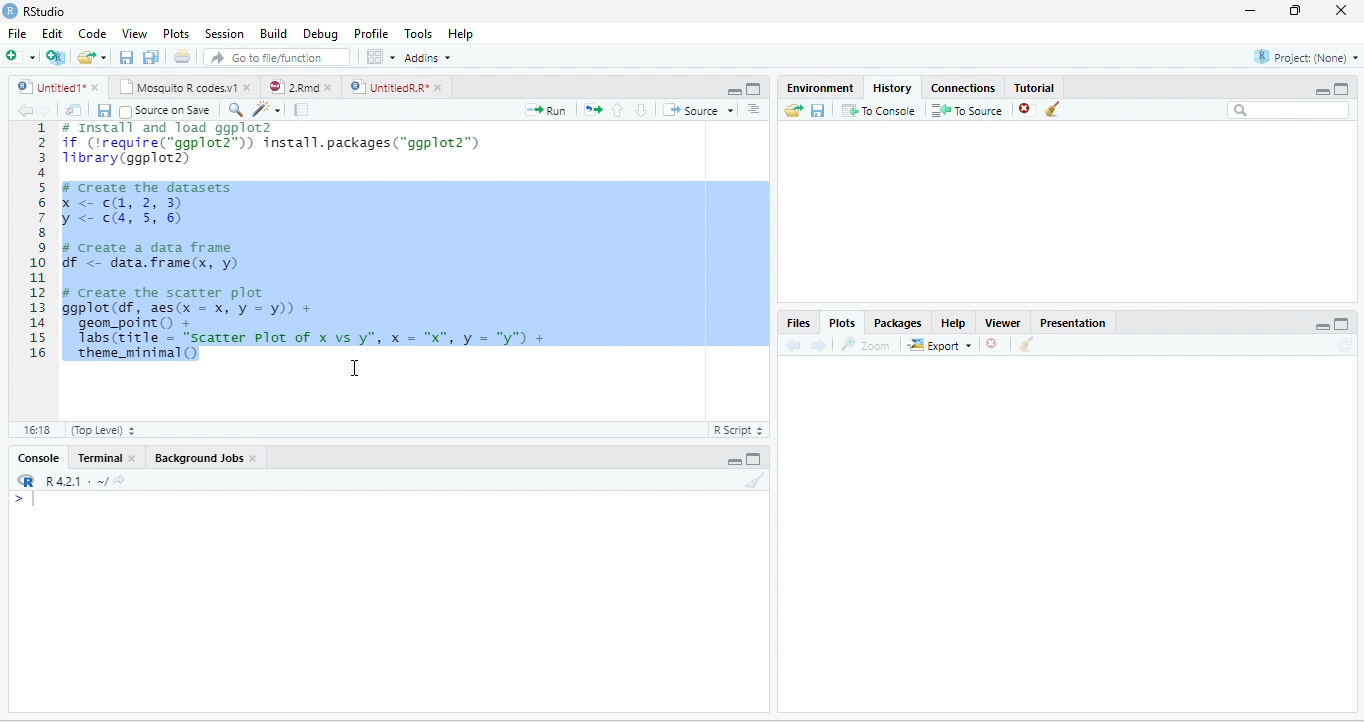 The image size is (1364, 722). What do you see at coordinates (176, 33) in the screenshot?
I see `Plots` at bounding box center [176, 33].